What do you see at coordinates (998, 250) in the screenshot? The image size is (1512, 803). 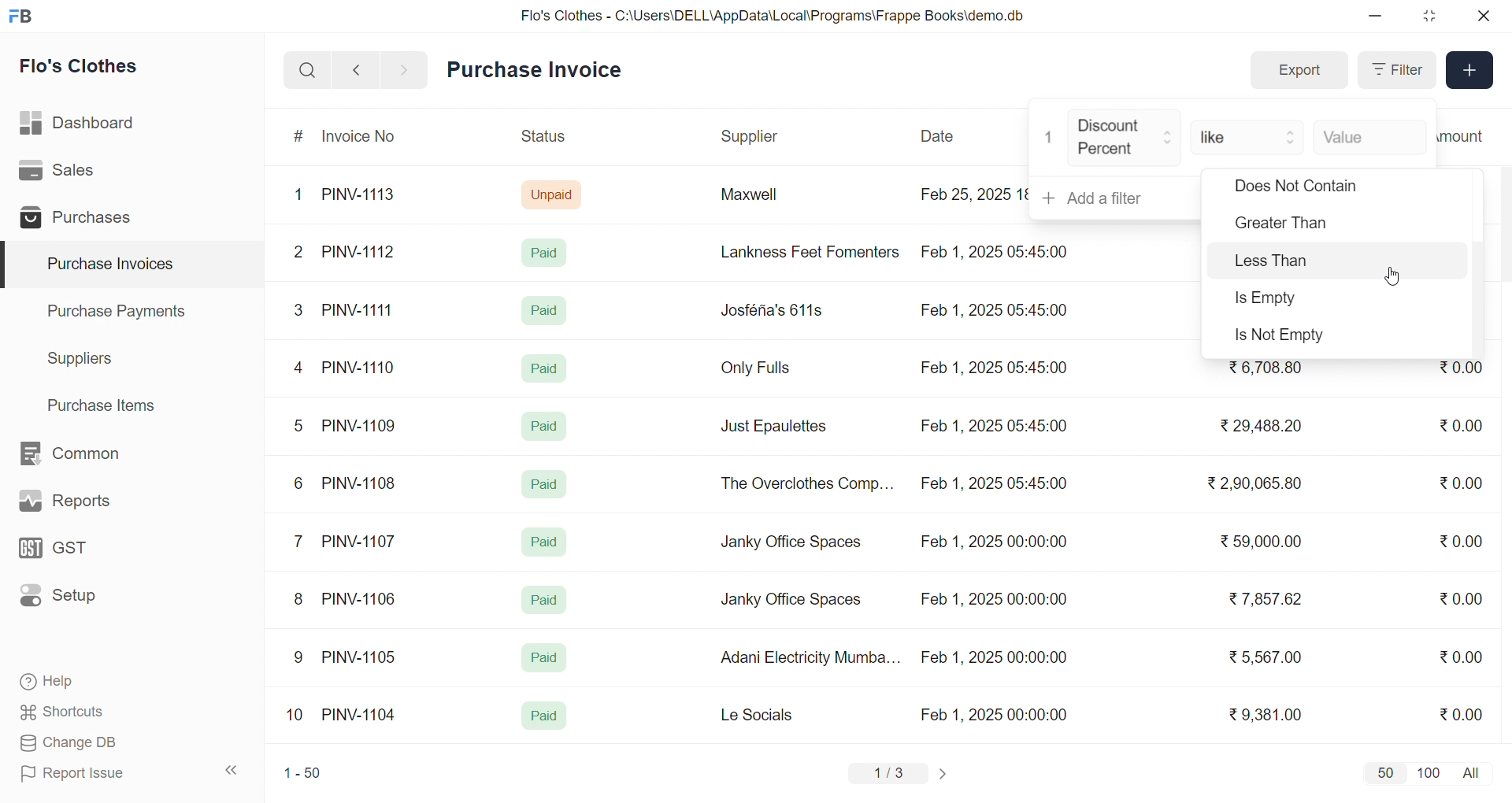 I see `Feb 1, 2025 05:45:00` at bounding box center [998, 250].